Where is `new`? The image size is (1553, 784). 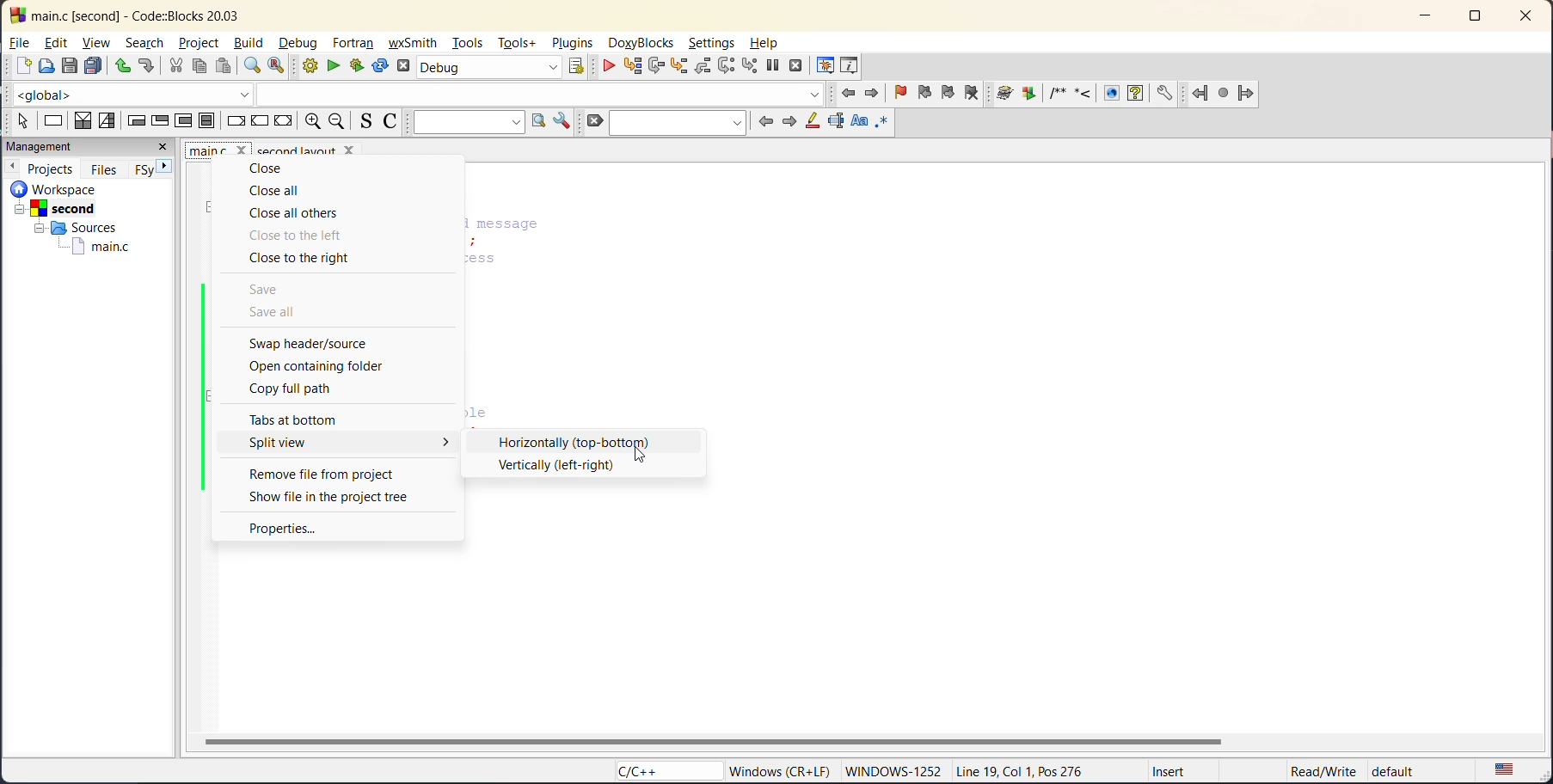 new is located at coordinates (16, 65).